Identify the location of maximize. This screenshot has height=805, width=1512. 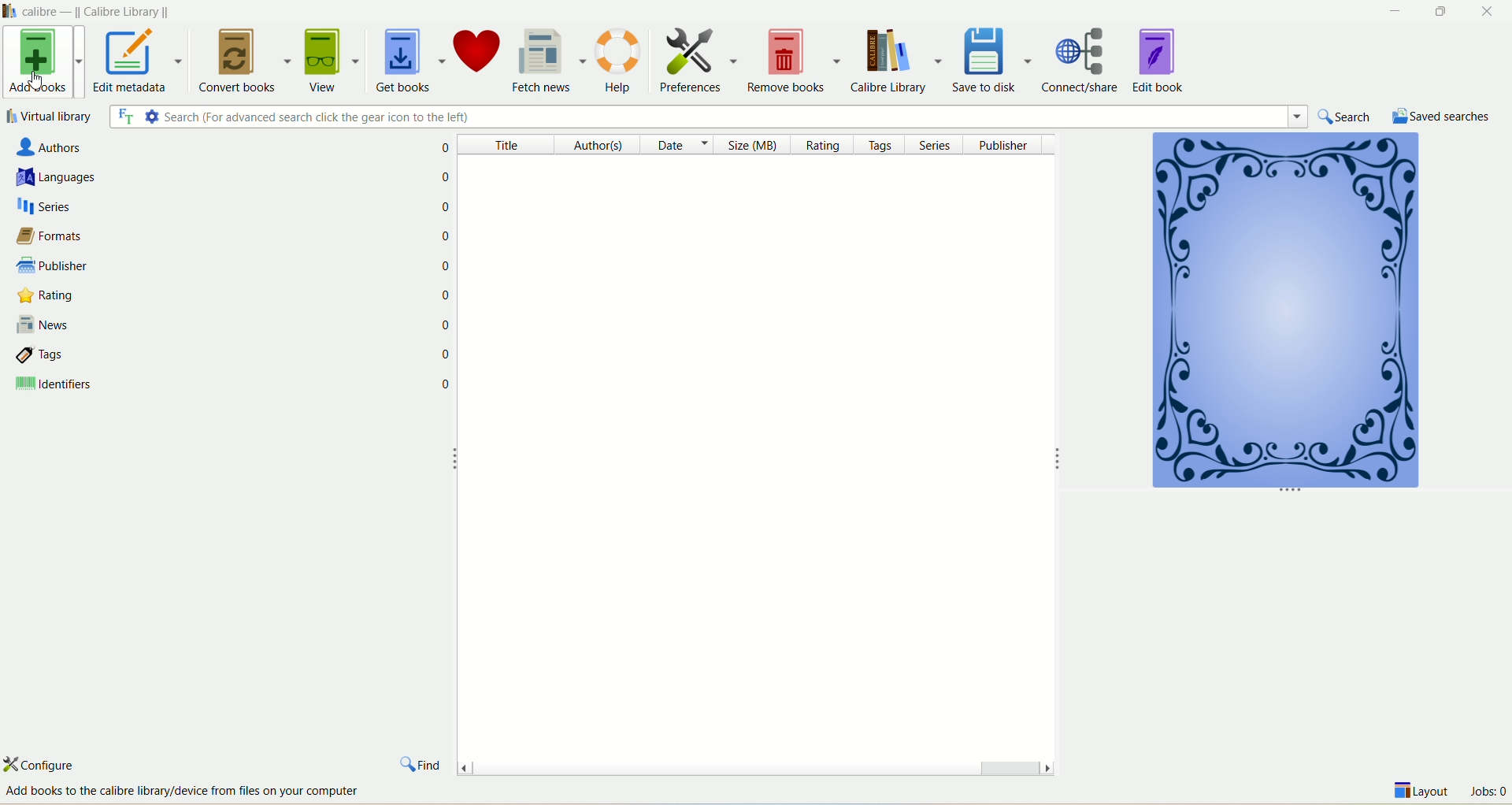
(1440, 12).